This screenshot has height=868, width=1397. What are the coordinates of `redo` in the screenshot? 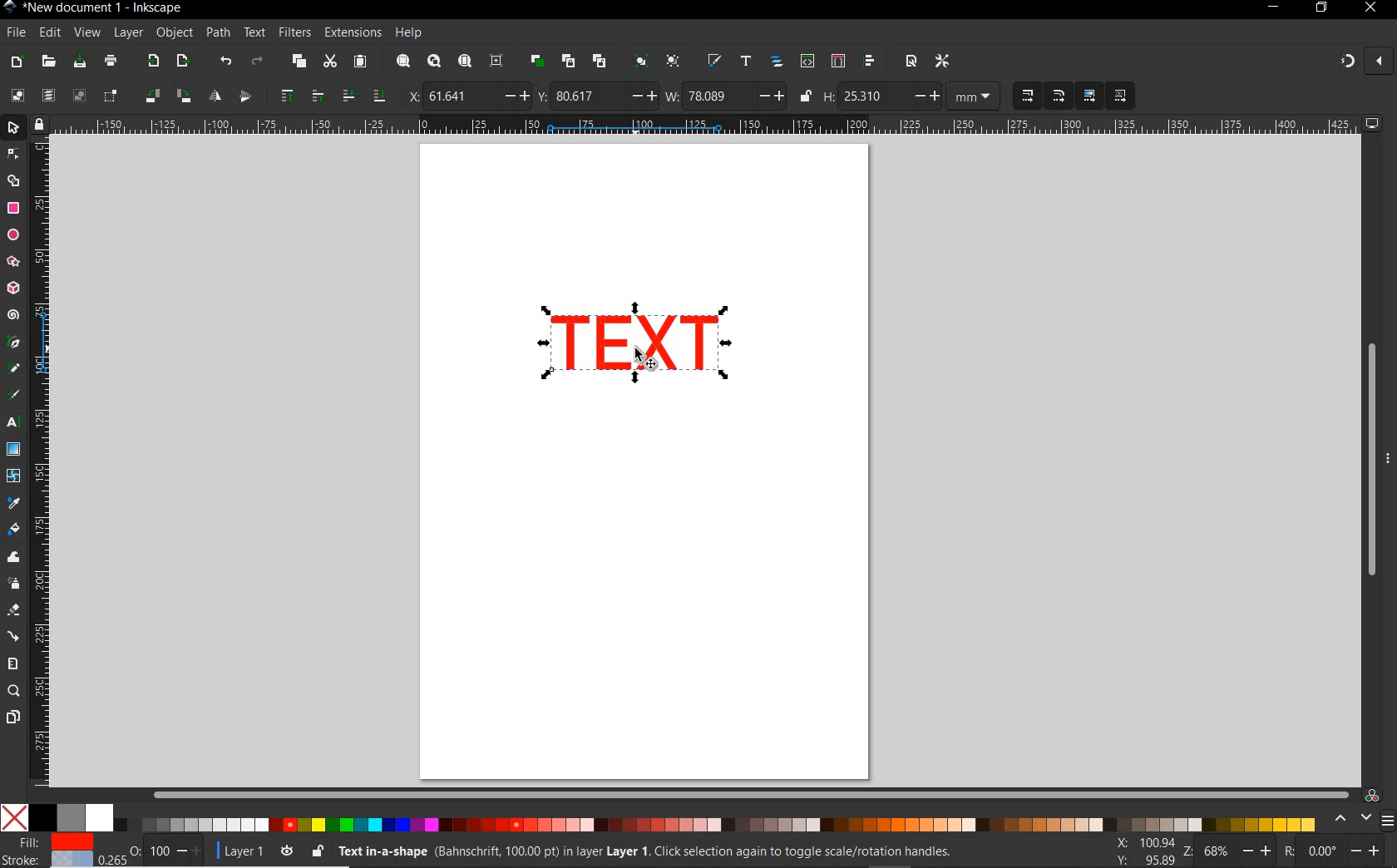 It's located at (257, 61).